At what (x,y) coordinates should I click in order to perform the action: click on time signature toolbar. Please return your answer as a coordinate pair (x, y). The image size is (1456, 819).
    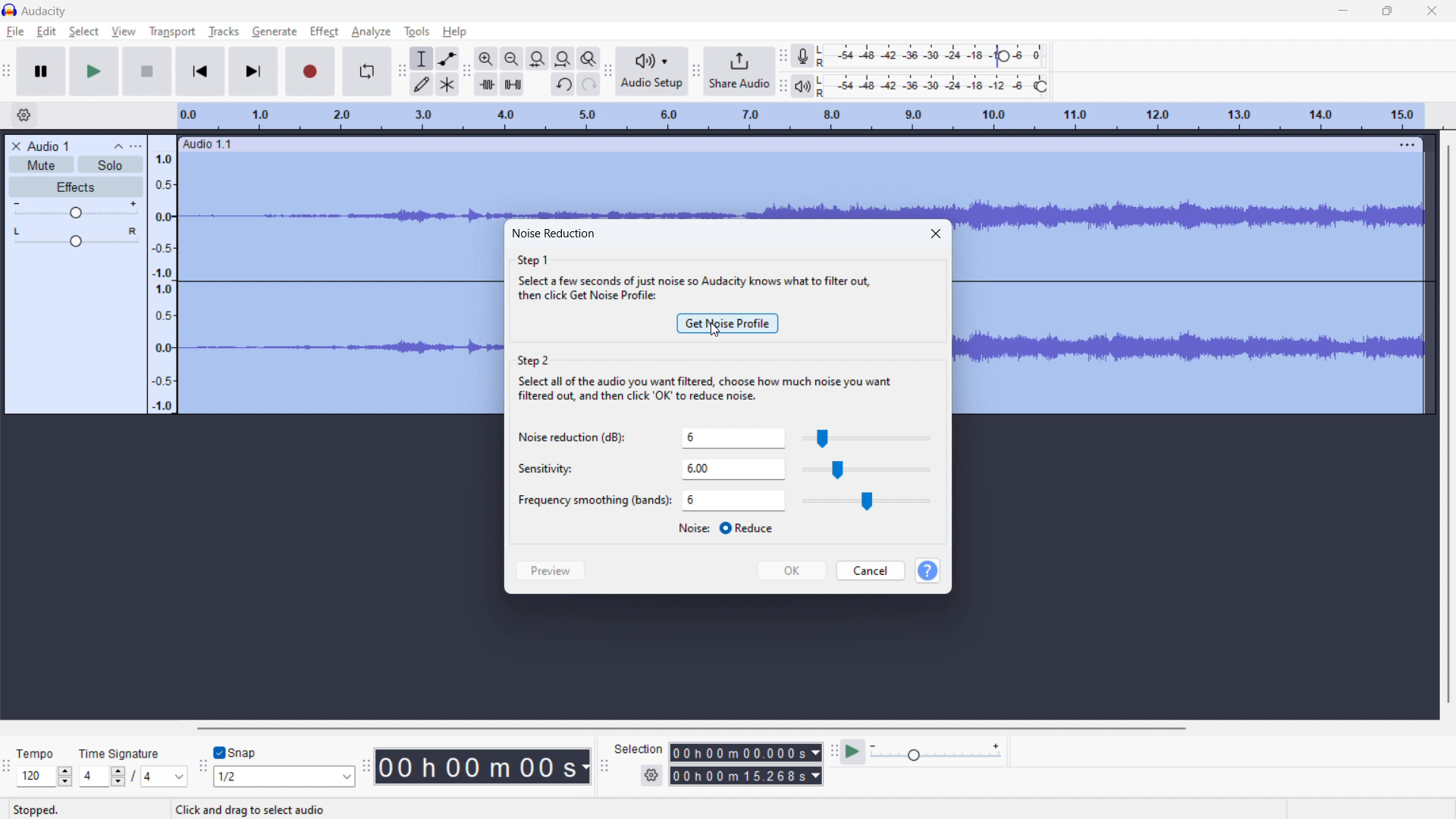
    Looking at the image, I should click on (8, 766).